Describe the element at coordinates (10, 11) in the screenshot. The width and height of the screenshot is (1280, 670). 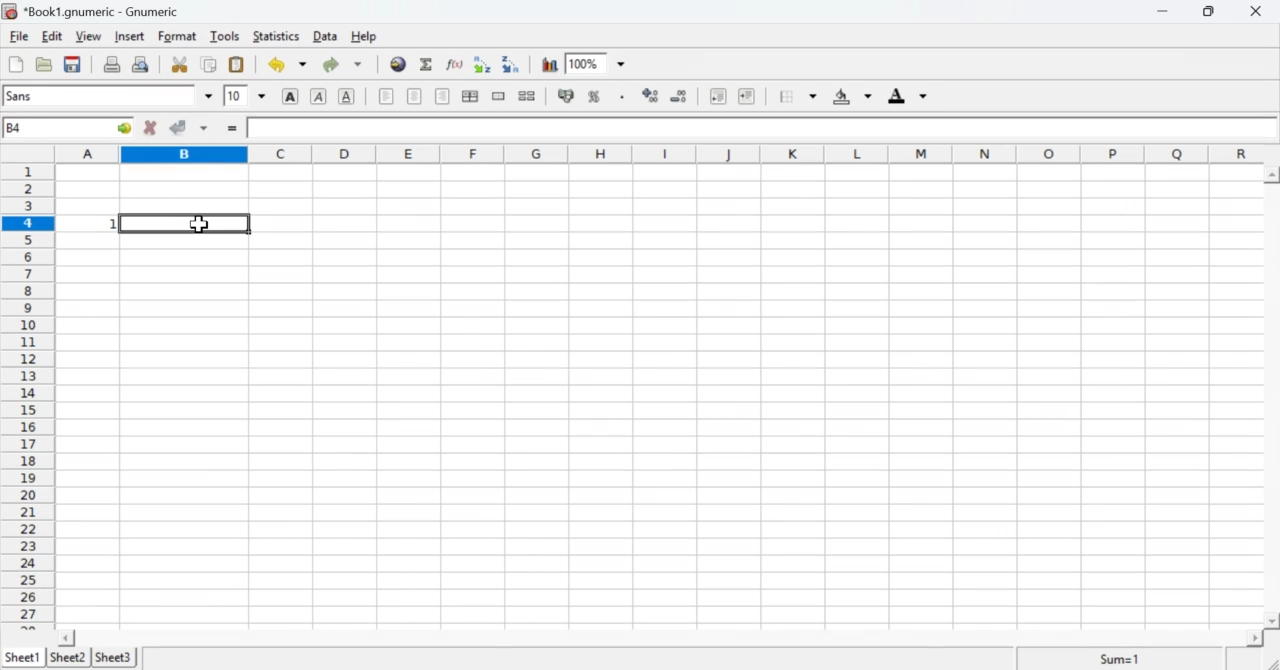
I see `icon` at that location.